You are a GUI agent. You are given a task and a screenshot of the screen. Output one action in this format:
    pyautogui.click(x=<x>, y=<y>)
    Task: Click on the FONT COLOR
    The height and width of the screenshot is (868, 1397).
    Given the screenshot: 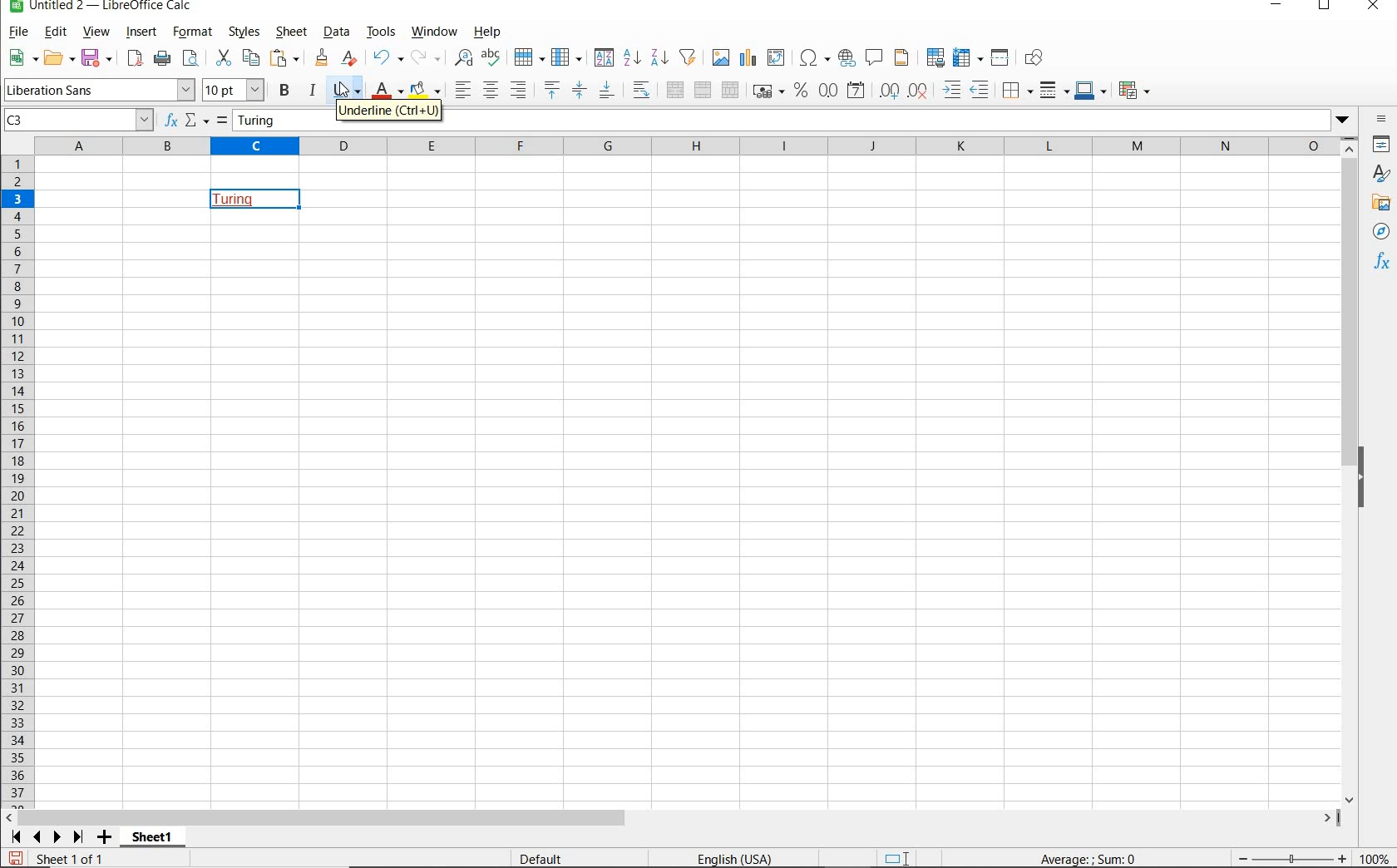 What is the action you would take?
    pyautogui.click(x=387, y=91)
    